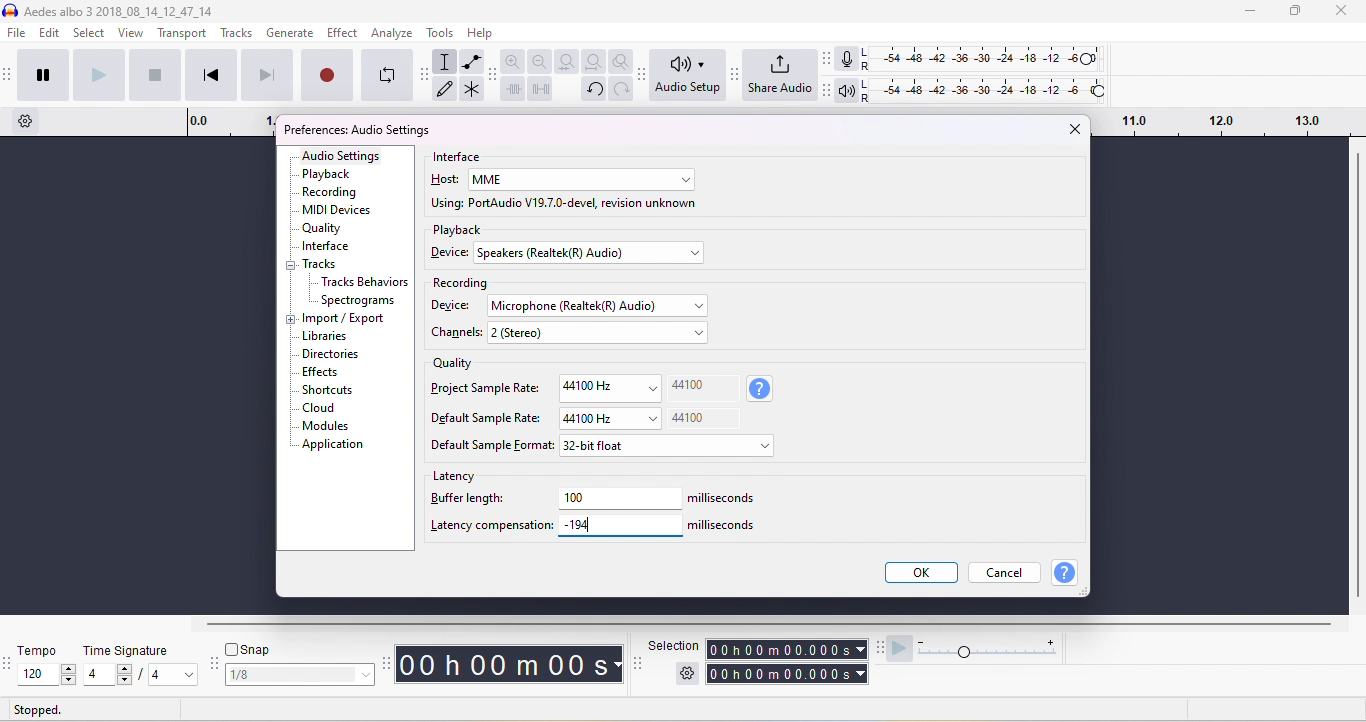  I want to click on timeline, so click(230, 122).